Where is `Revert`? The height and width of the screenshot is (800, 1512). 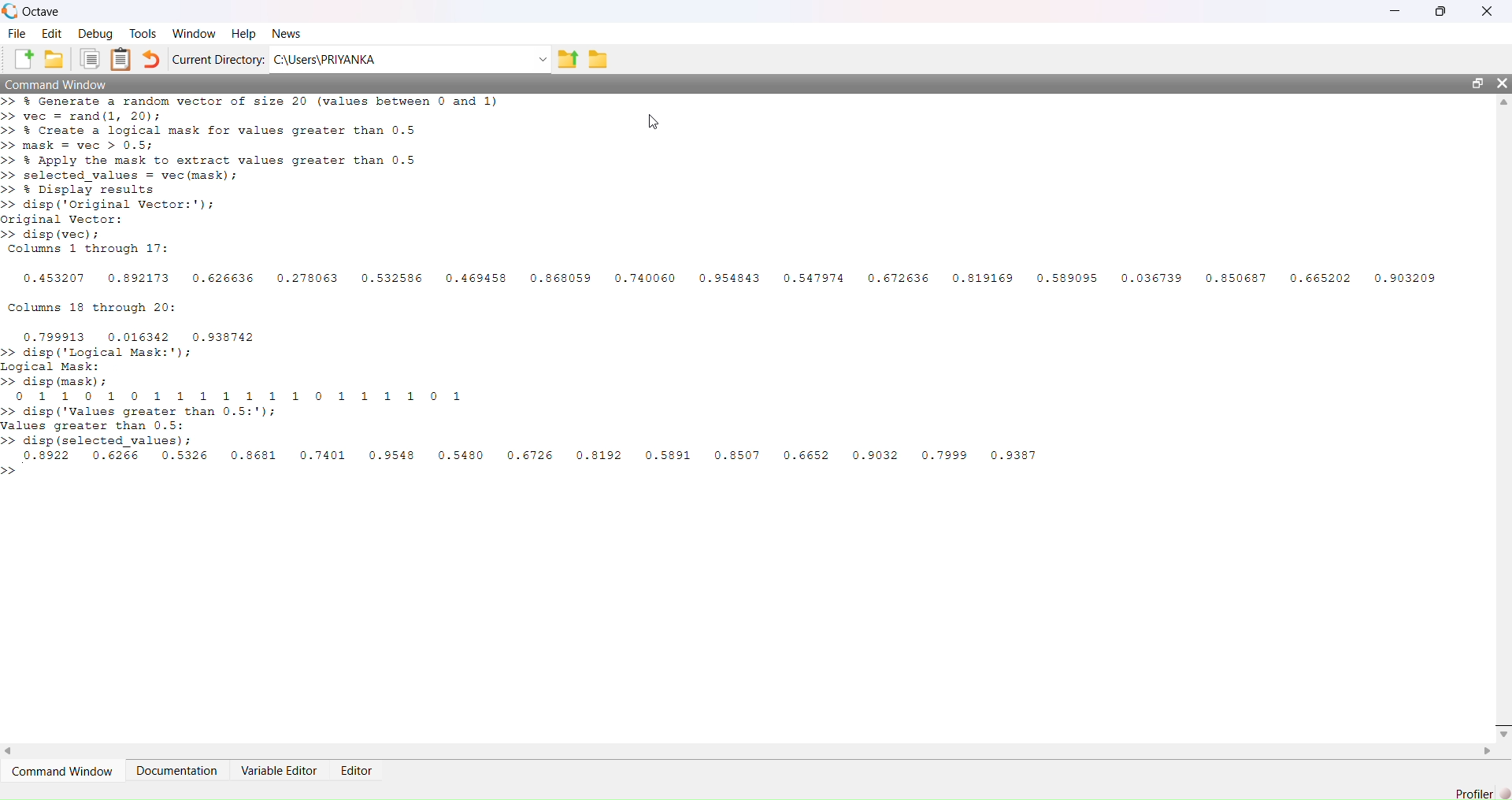
Revert is located at coordinates (151, 61).